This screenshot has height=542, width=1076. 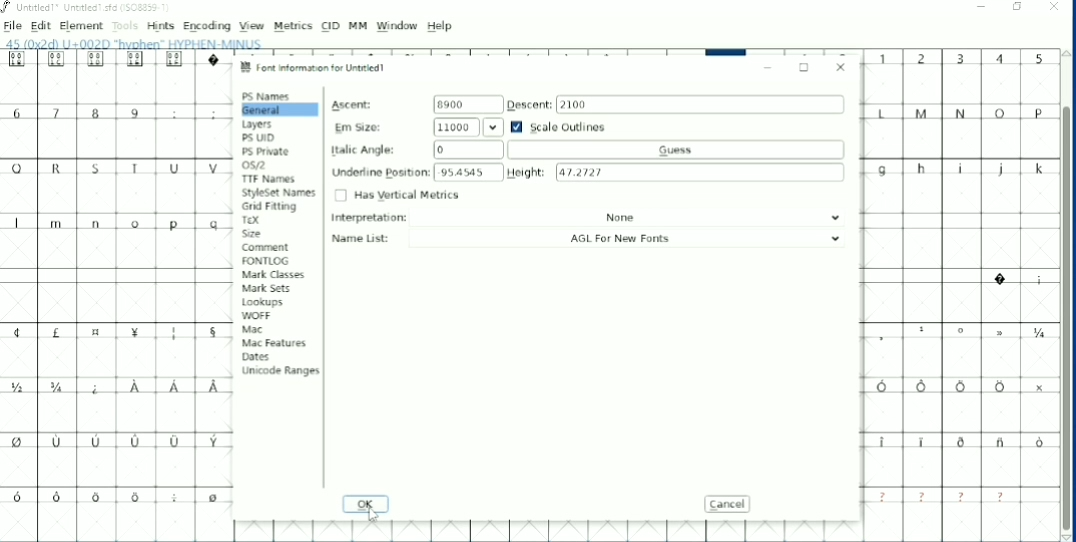 I want to click on Minimize, so click(x=768, y=68).